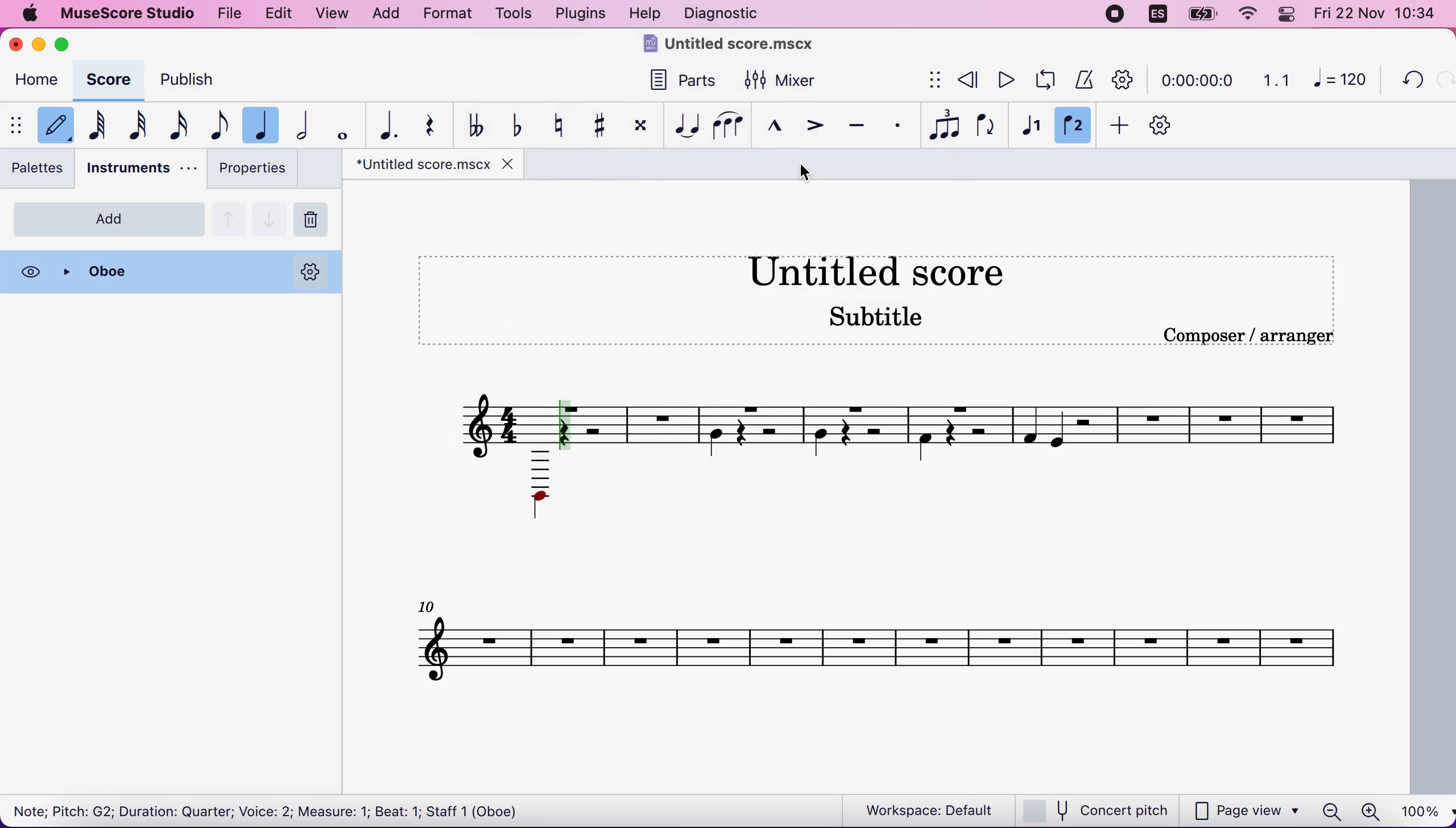 The height and width of the screenshot is (828, 1456). What do you see at coordinates (647, 13) in the screenshot?
I see `help` at bounding box center [647, 13].